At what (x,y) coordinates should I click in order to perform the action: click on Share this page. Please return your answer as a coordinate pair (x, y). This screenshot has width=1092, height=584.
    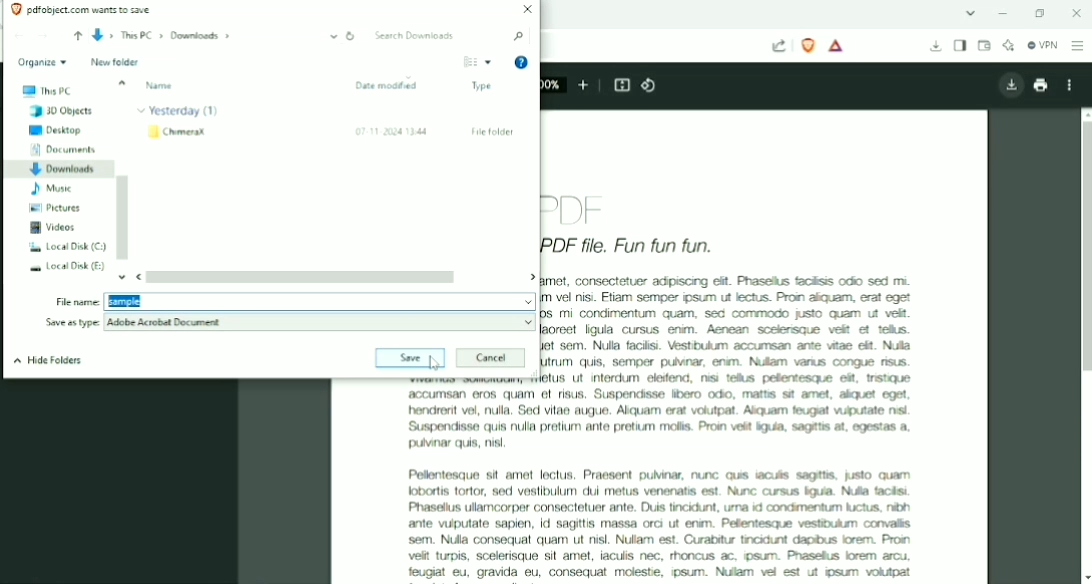
    Looking at the image, I should click on (779, 46).